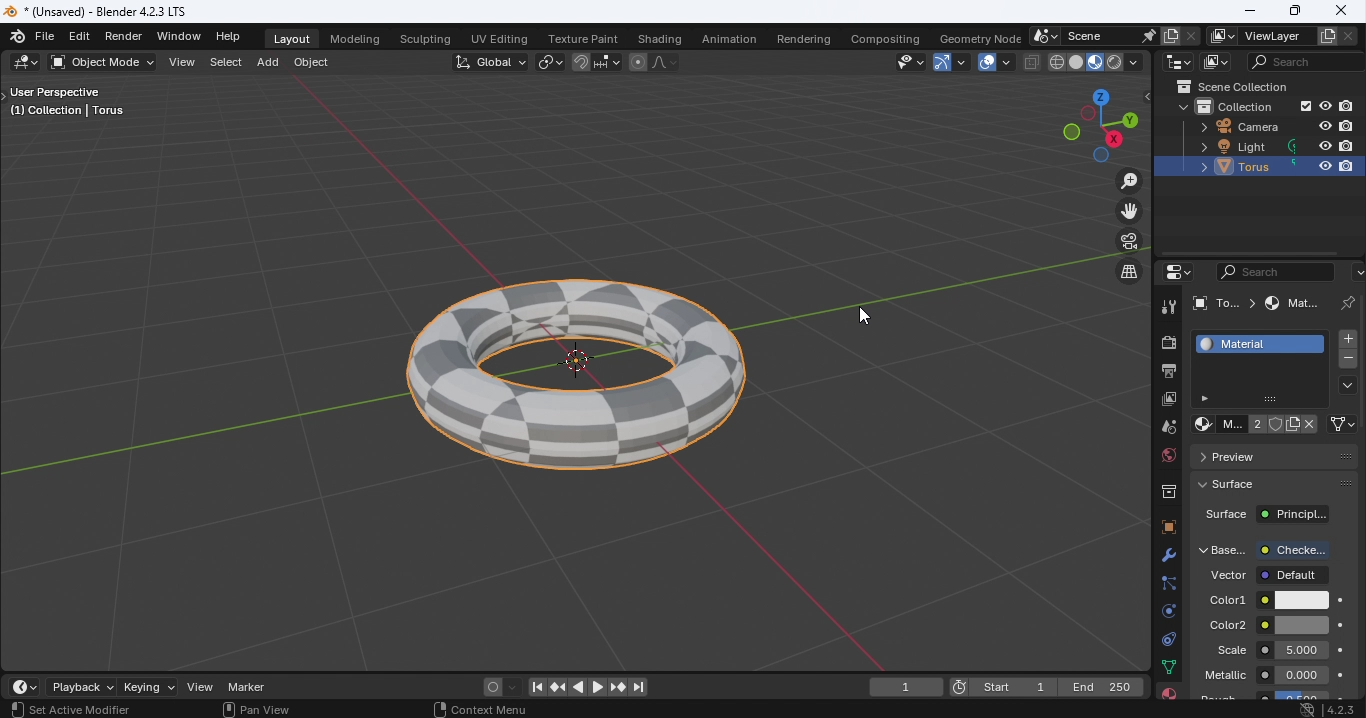 Image resolution: width=1366 pixels, height=718 pixels. I want to click on Pin scene to workspace, so click(1146, 35).